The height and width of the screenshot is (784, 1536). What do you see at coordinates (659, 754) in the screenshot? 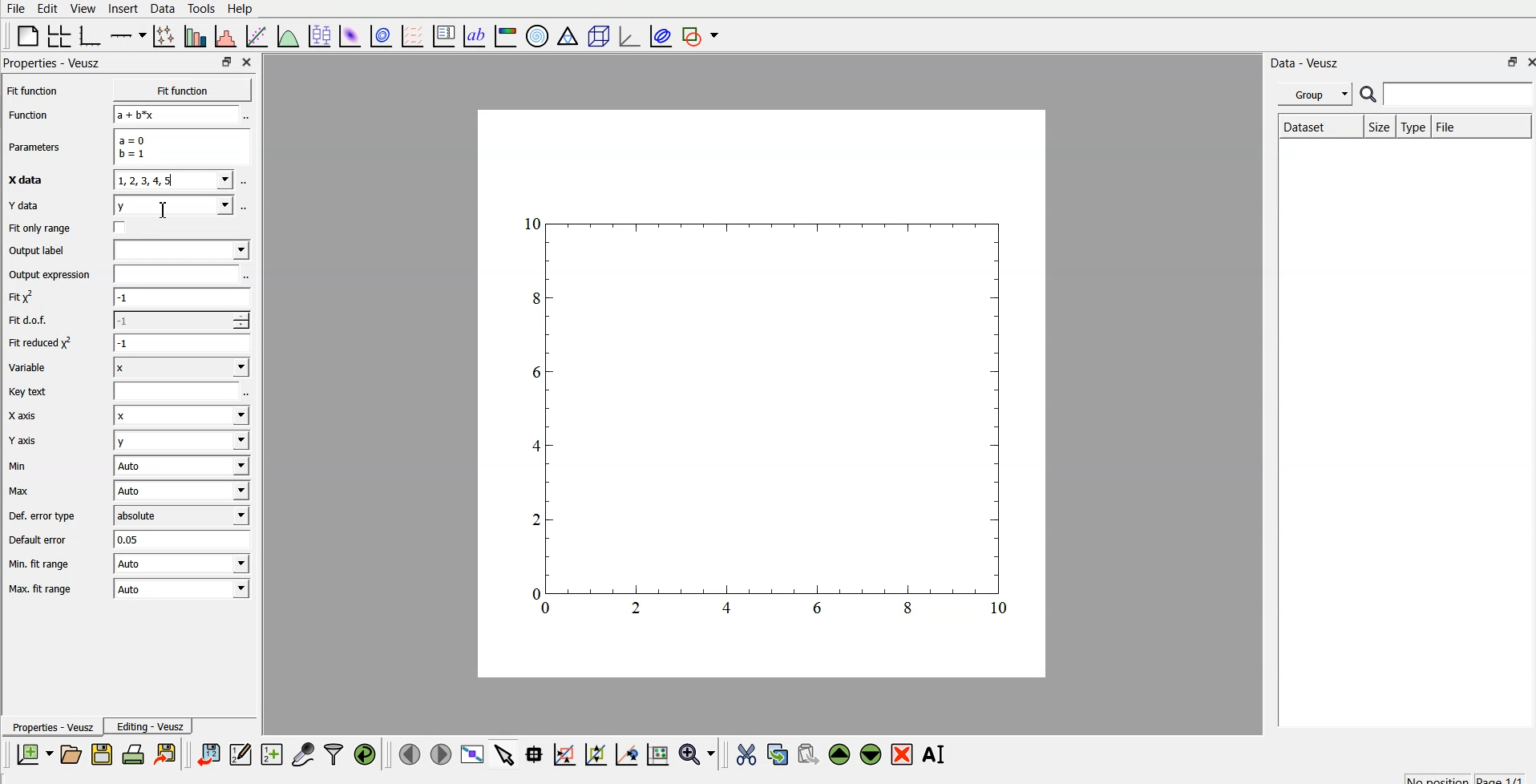
I see `click to reset graph axes` at bounding box center [659, 754].